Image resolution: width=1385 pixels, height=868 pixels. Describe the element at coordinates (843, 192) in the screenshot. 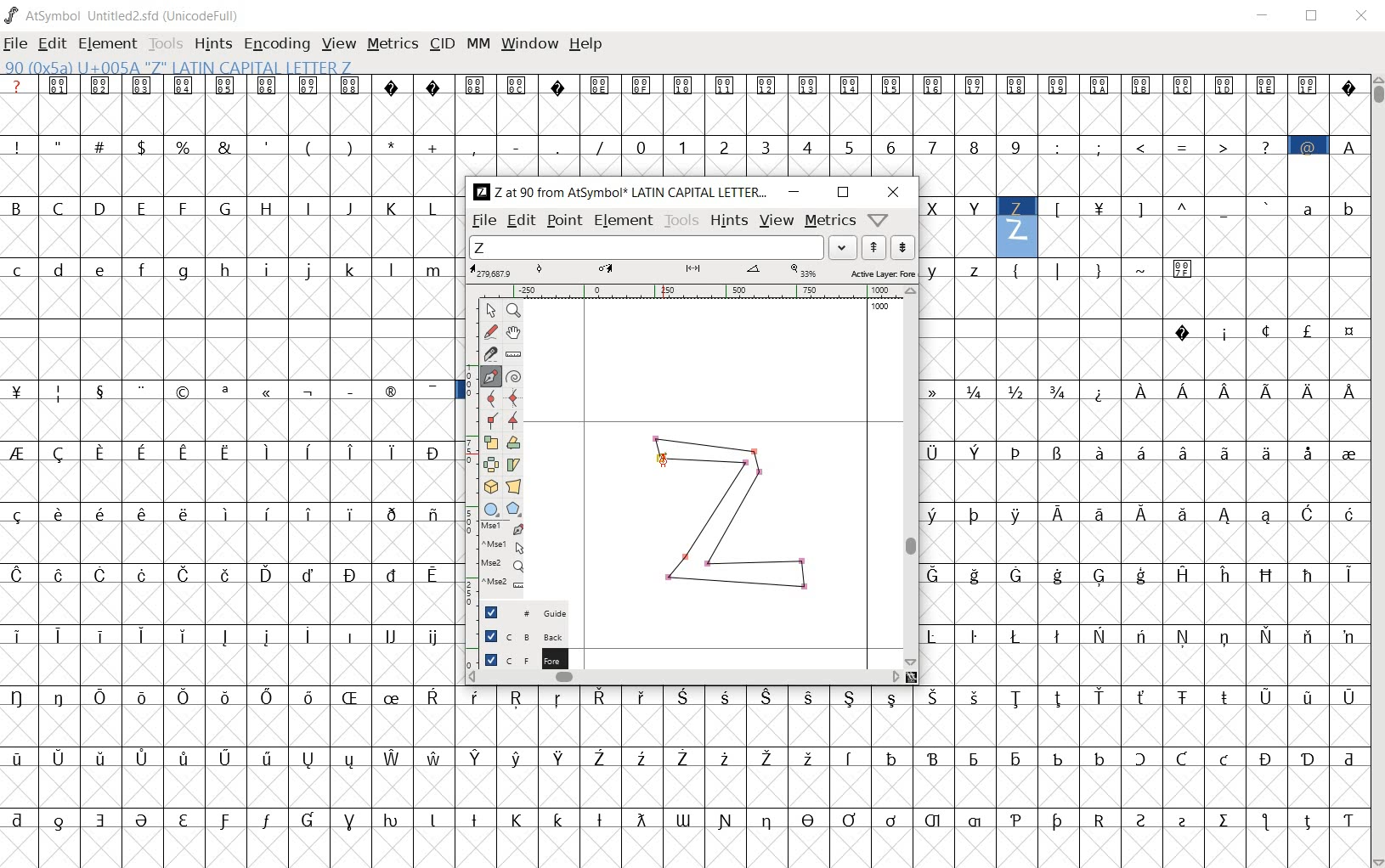

I see `restore down` at that location.